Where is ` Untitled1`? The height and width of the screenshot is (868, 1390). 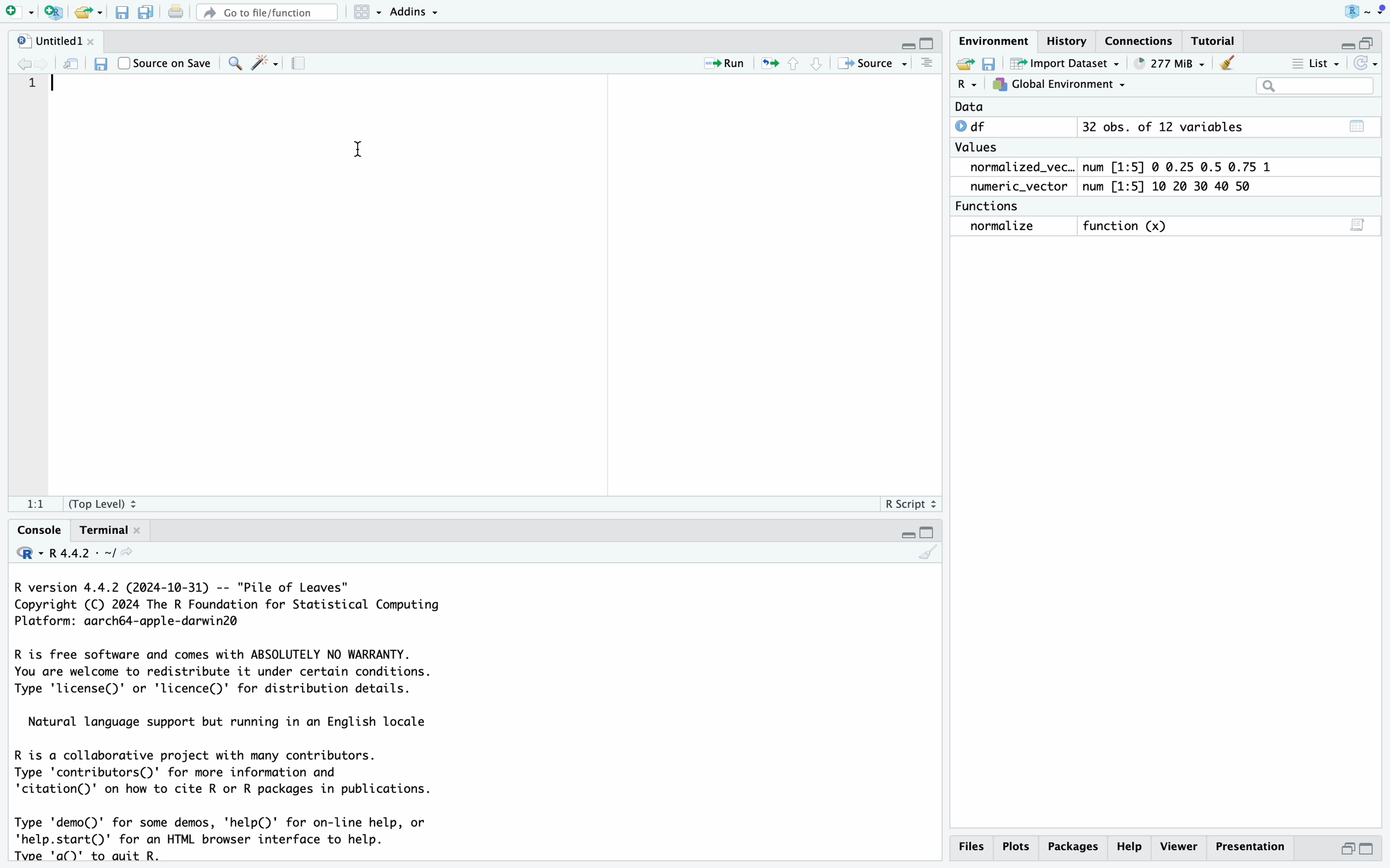
 Untitled1 is located at coordinates (57, 40).